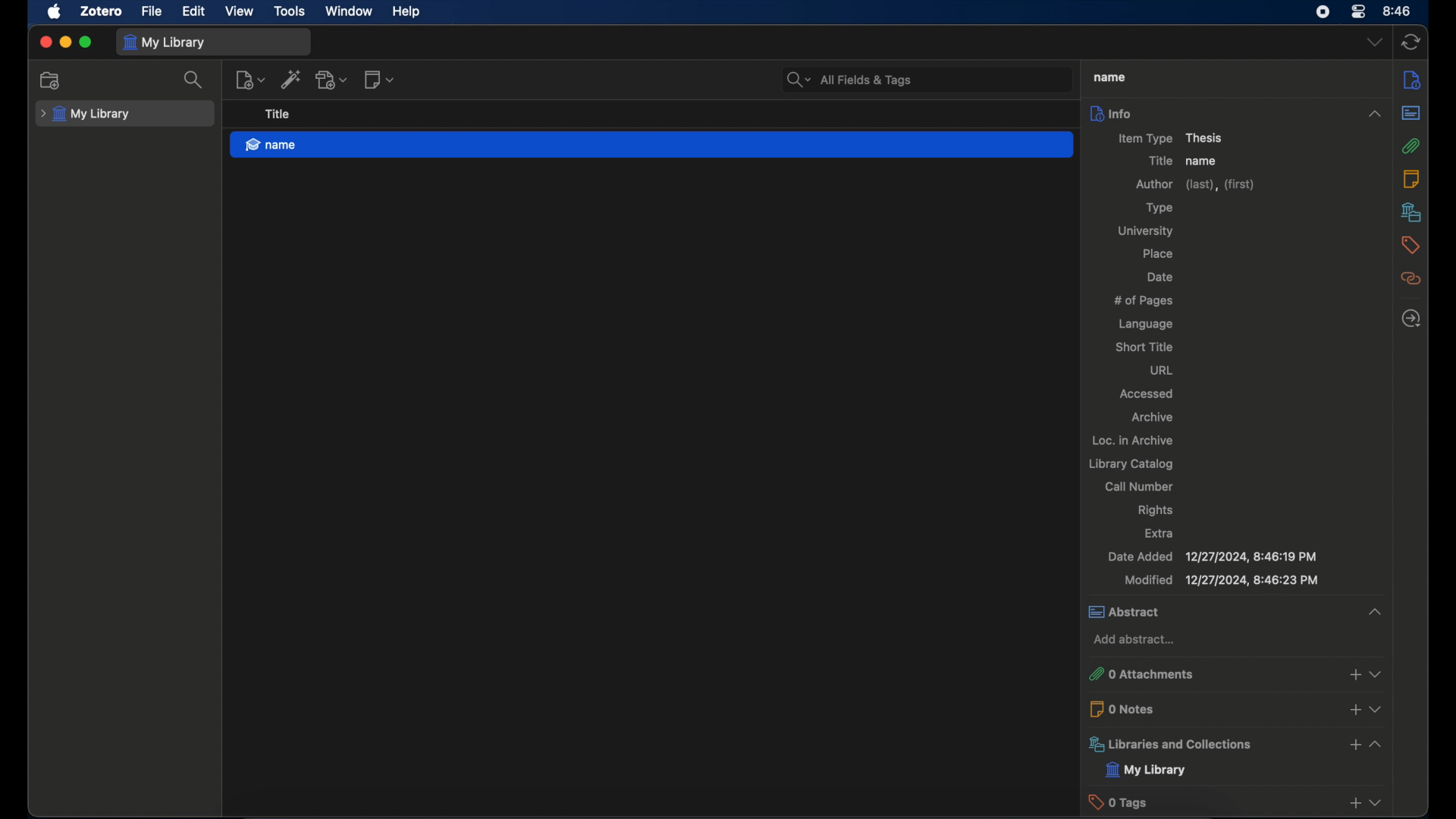 The height and width of the screenshot is (819, 1456). What do you see at coordinates (1154, 417) in the screenshot?
I see `archive` at bounding box center [1154, 417].